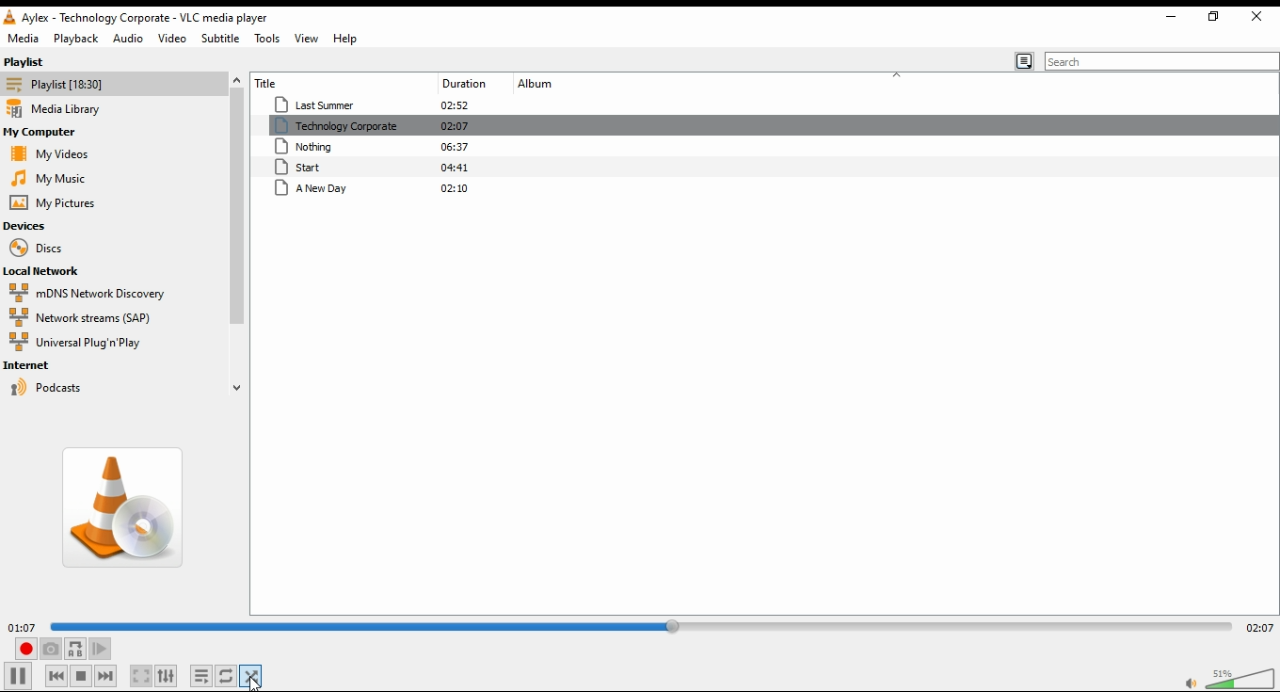  What do you see at coordinates (543, 83) in the screenshot?
I see `album` at bounding box center [543, 83].